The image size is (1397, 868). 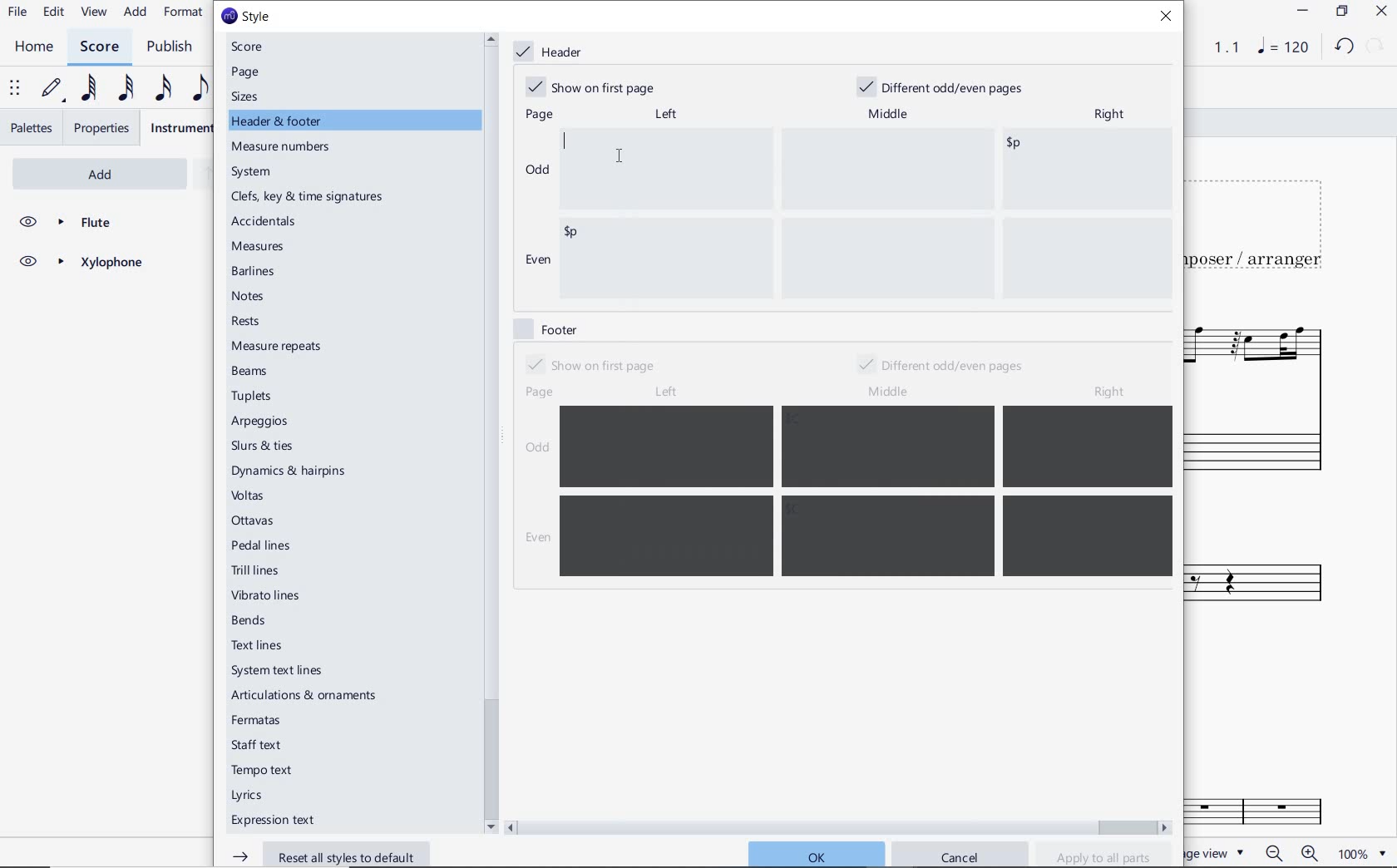 What do you see at coordinates (277, 346) in the screenshot?
I see `measure repeats` at bounding box center [277, 346].